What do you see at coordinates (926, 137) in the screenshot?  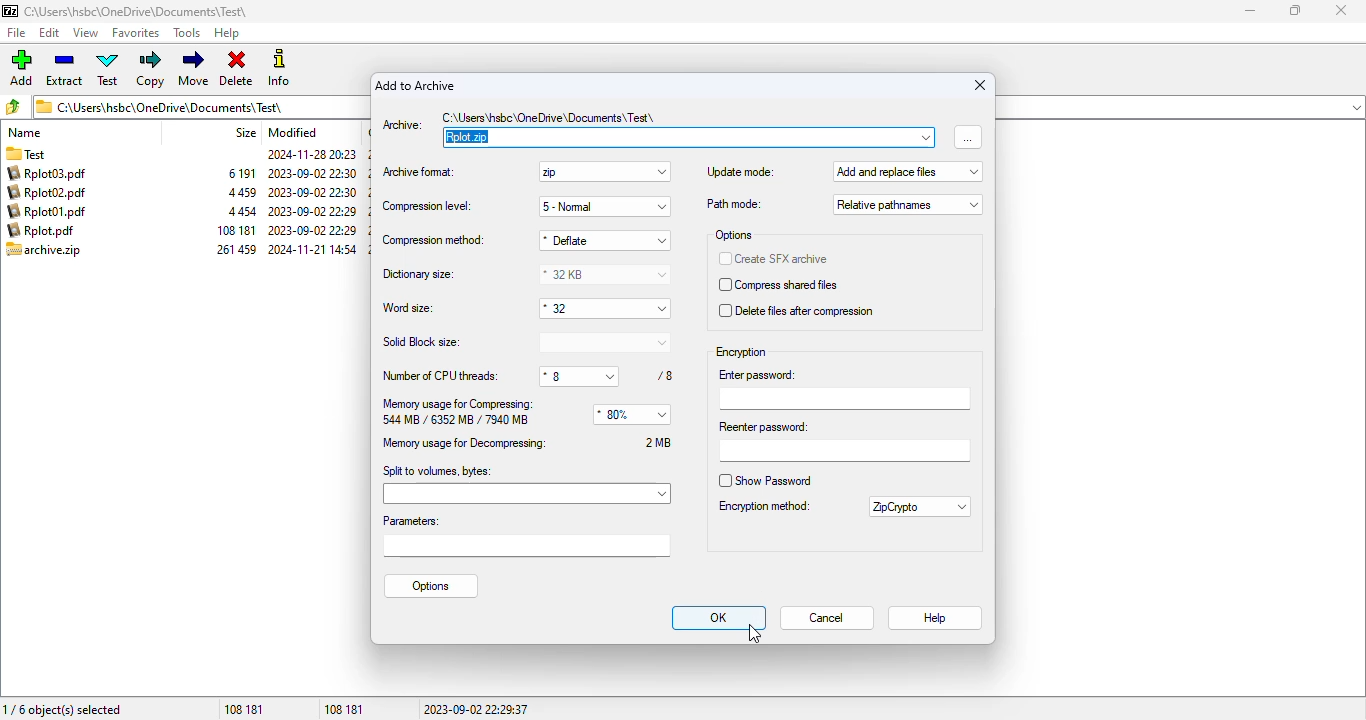 I see `dropdown` at bounding box center [926, 137].